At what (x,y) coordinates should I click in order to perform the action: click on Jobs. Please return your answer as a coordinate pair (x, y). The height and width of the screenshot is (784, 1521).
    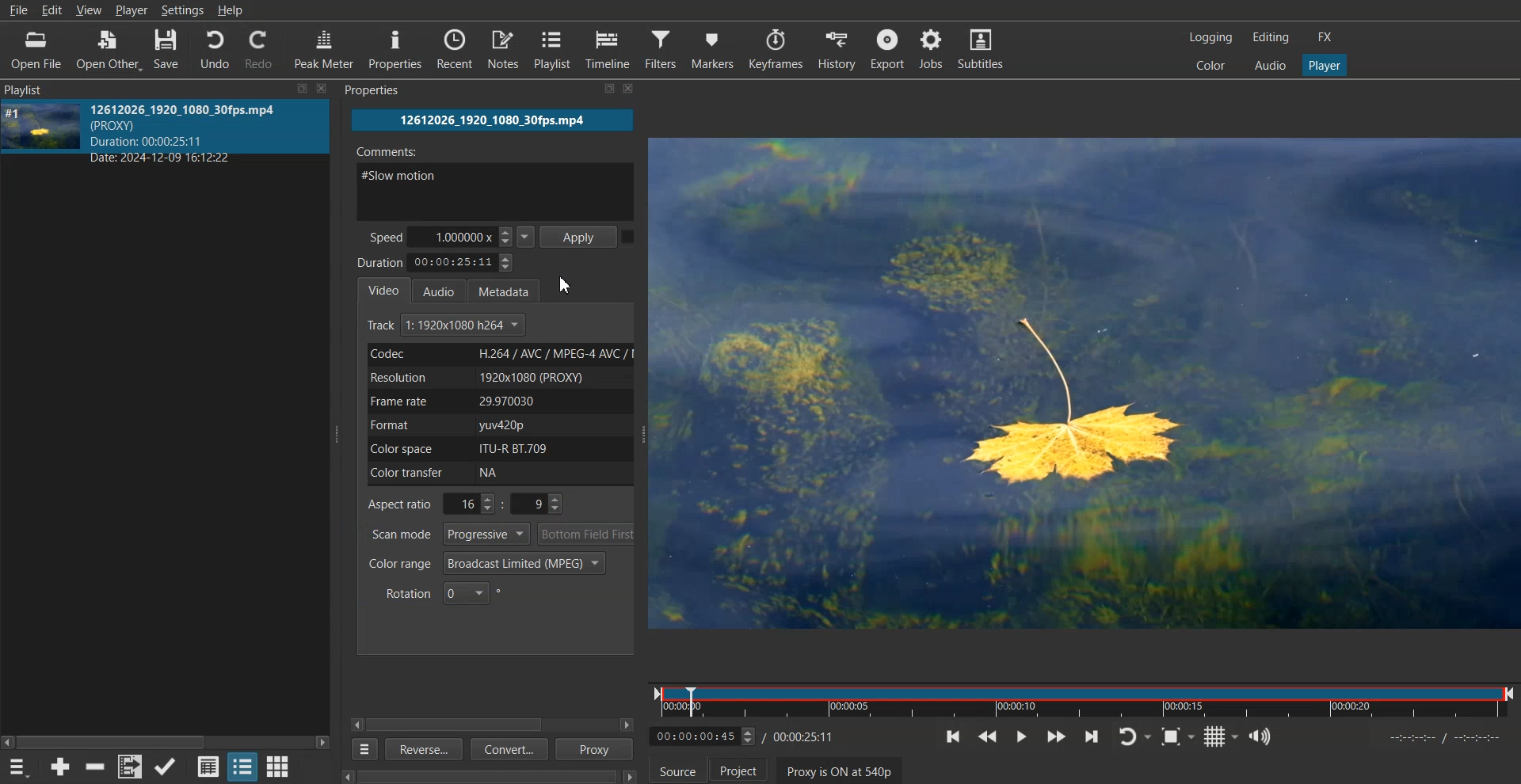
    Looking at the image, I should click on (934, 48).